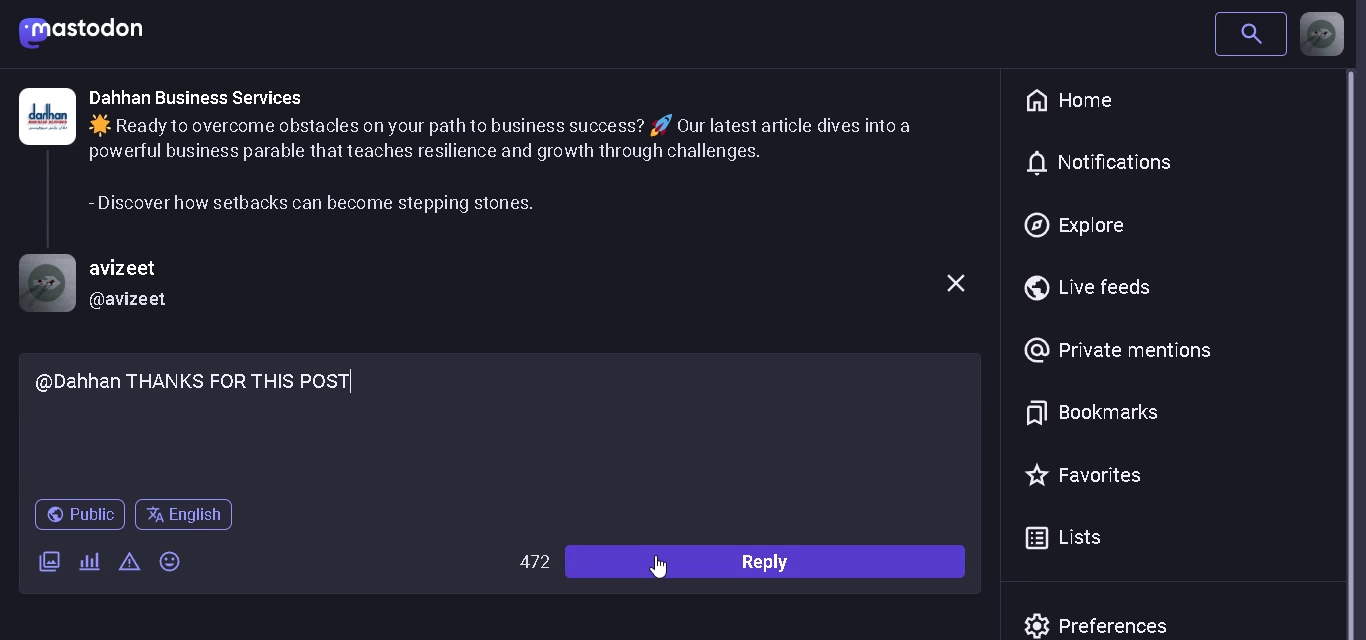  What do you see at coordinates (88, 564) in the screenshot?
I see `add a poll` at bounding box center [88, 564].